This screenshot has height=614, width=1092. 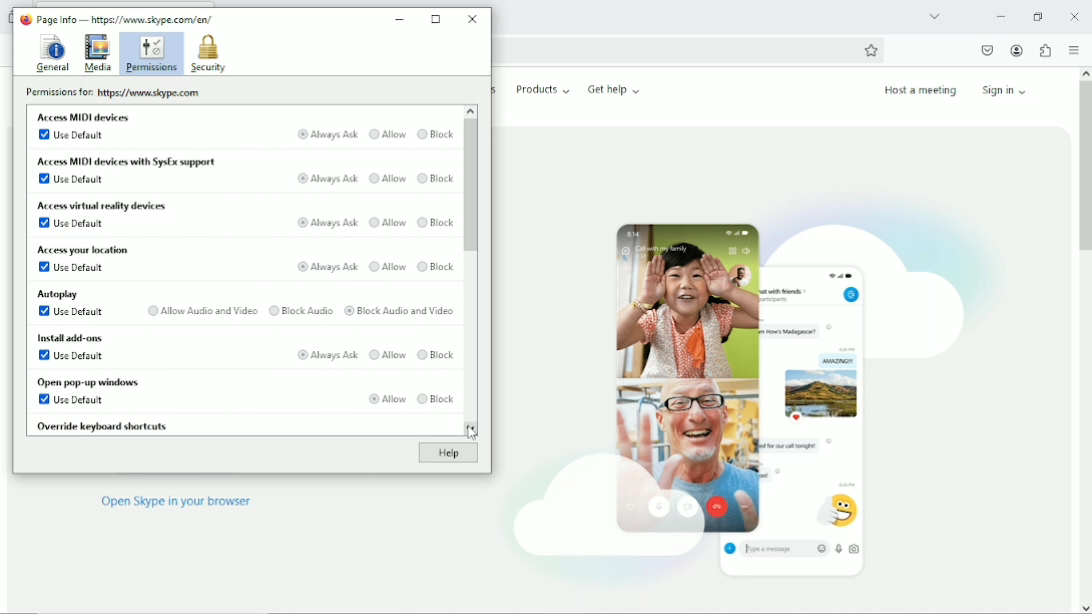 What do you see at coordinates (88, 249) in the screenshot?
I see `Access your location` at bounding box center [88, 249].